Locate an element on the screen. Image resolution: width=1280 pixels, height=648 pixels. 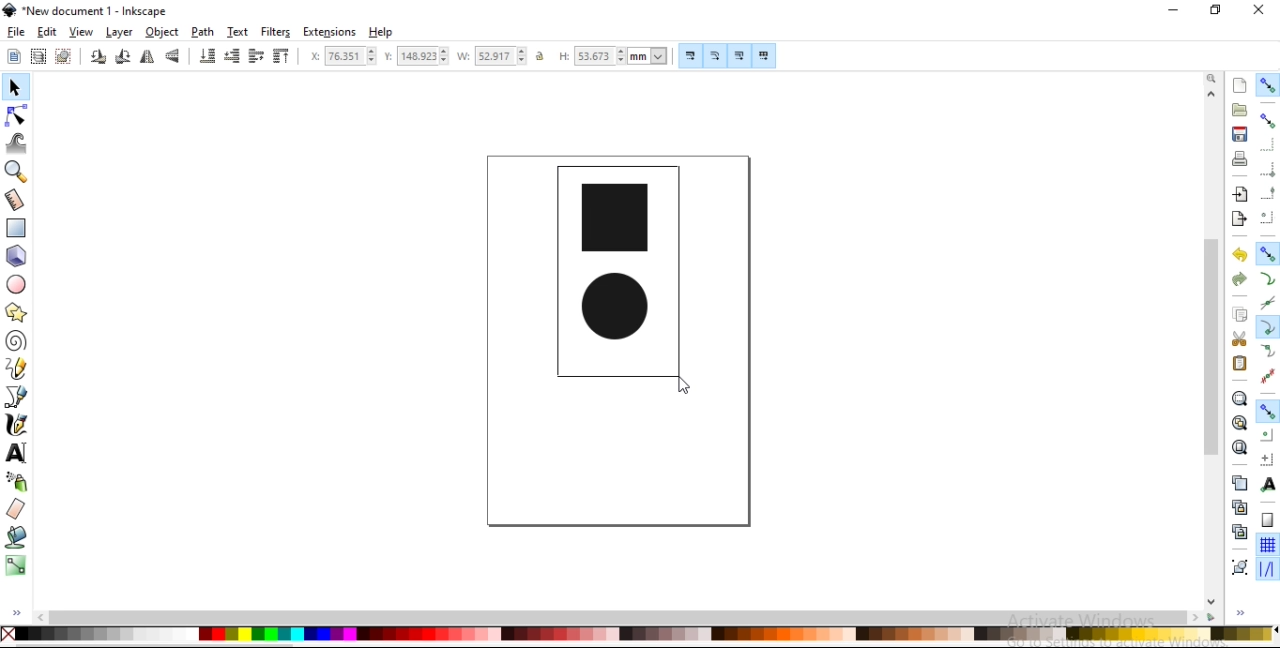
measurement tool  is located at coordinates (17, 199).